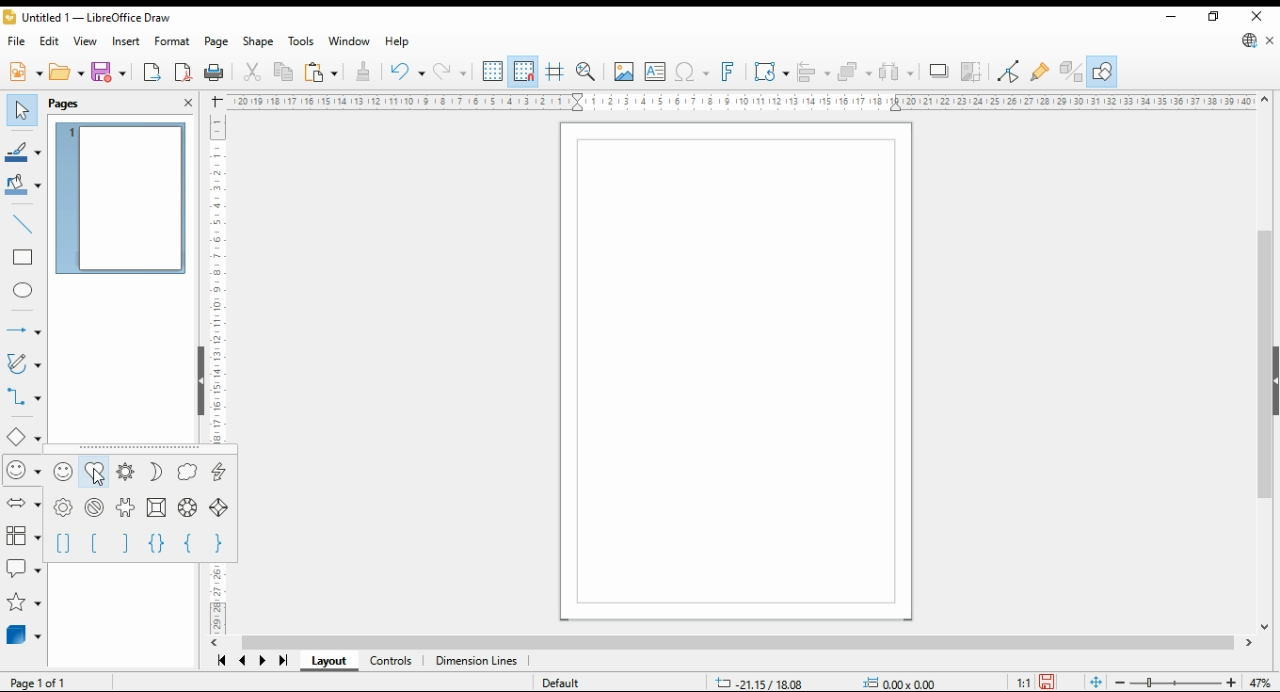  I want to click on window, so click(349, 41).